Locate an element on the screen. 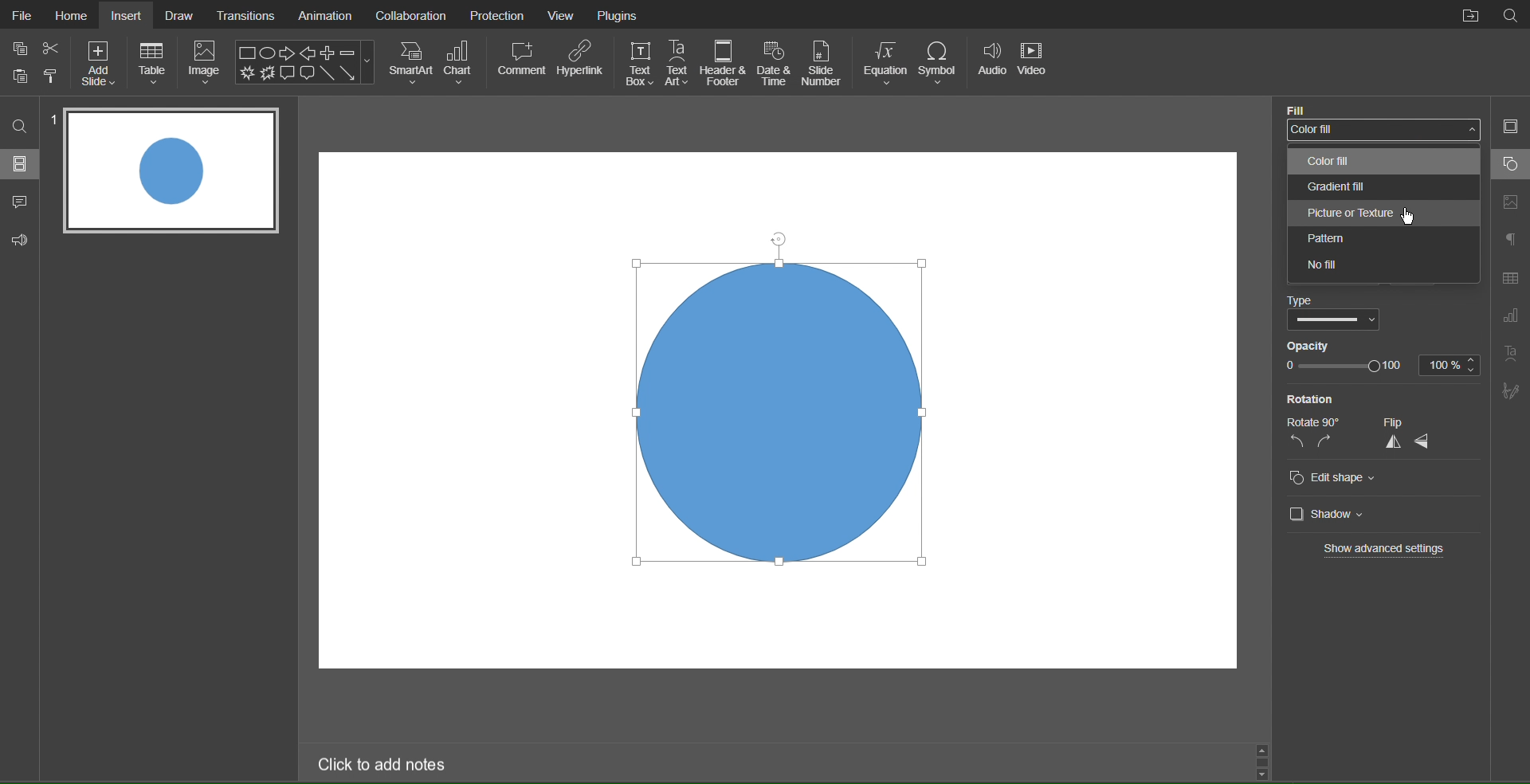 Image resolution: width=1530 pixels, height=784 pixels. 100% is located at coordinates (1453, 365).